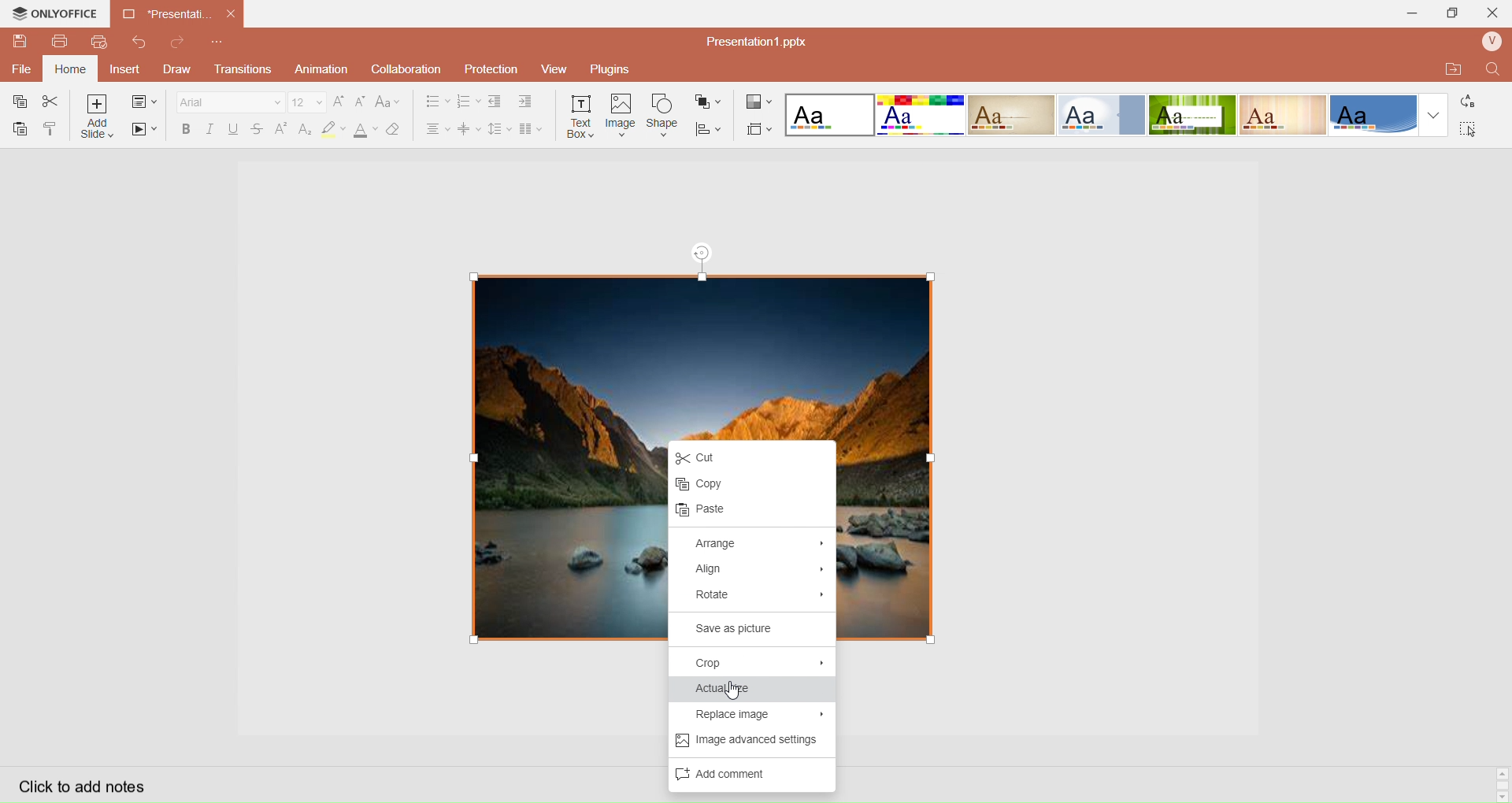 Image resolution: width=1512 pixels, height=803 pixels. What do you see at coordinates (25, 69) in the screenshot?
I see `File` at bounding box center [25, 69].